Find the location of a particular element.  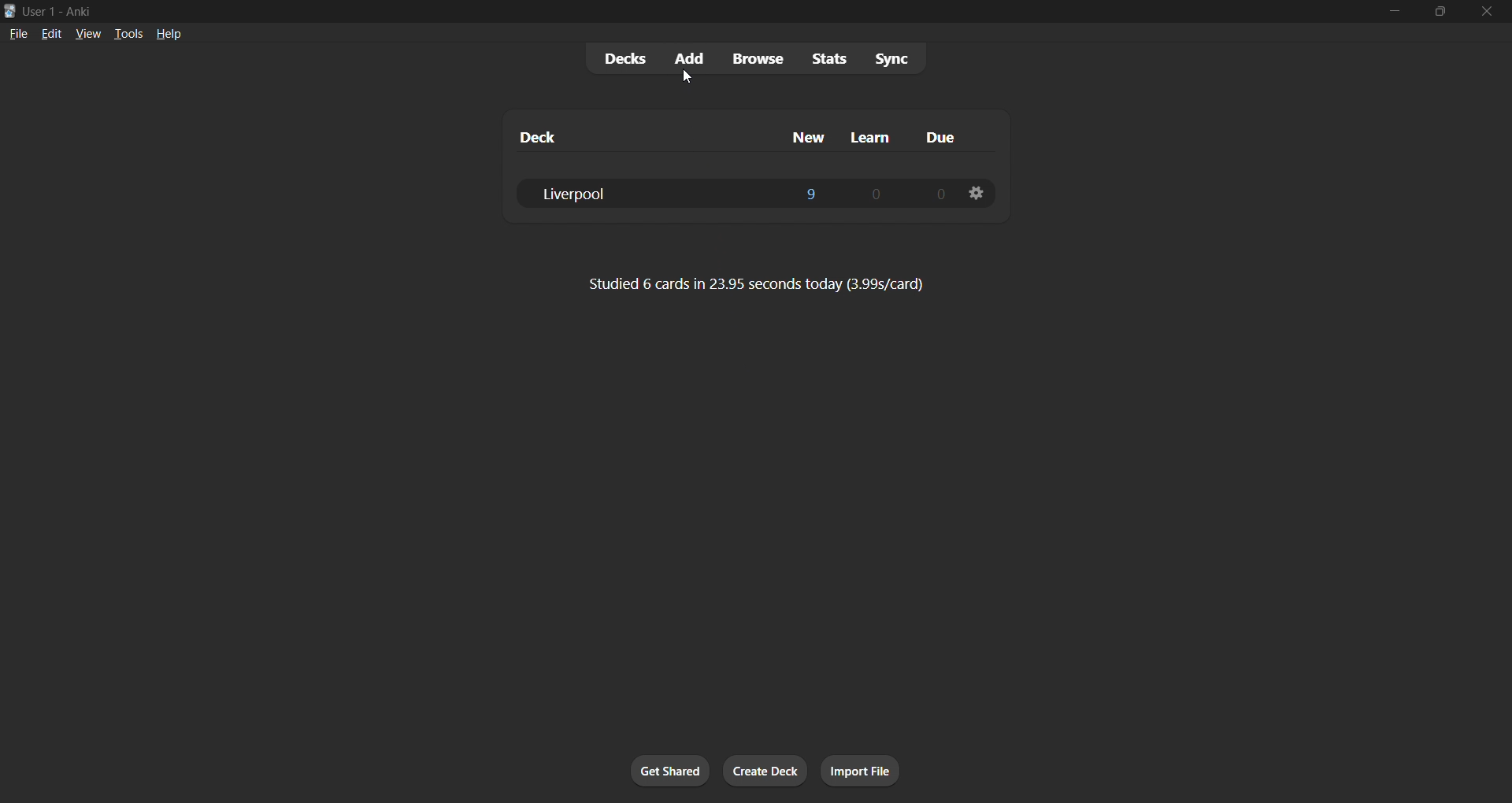

stats is located at coordinates (828, 61).